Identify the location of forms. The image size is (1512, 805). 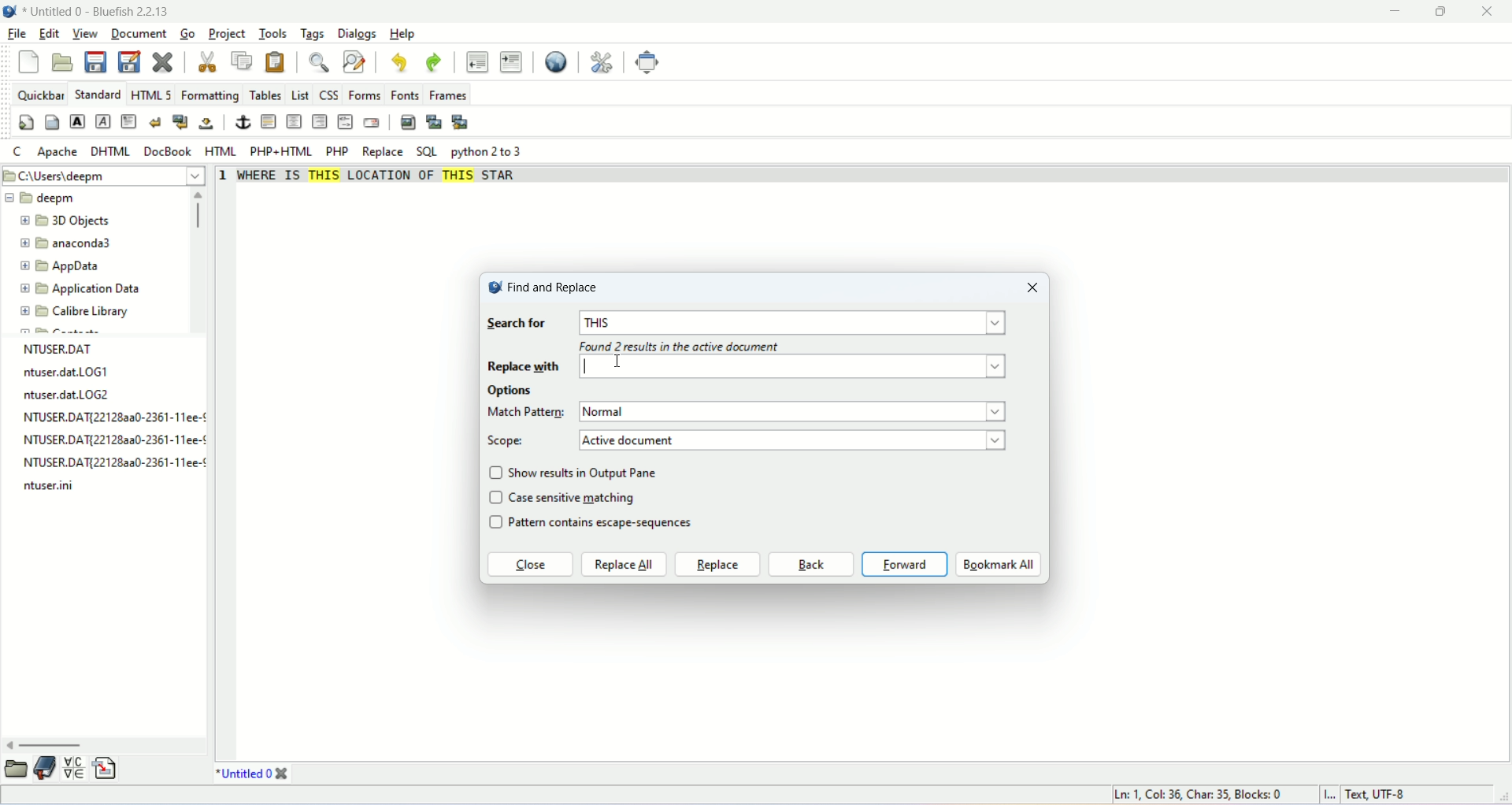
(365, 95).